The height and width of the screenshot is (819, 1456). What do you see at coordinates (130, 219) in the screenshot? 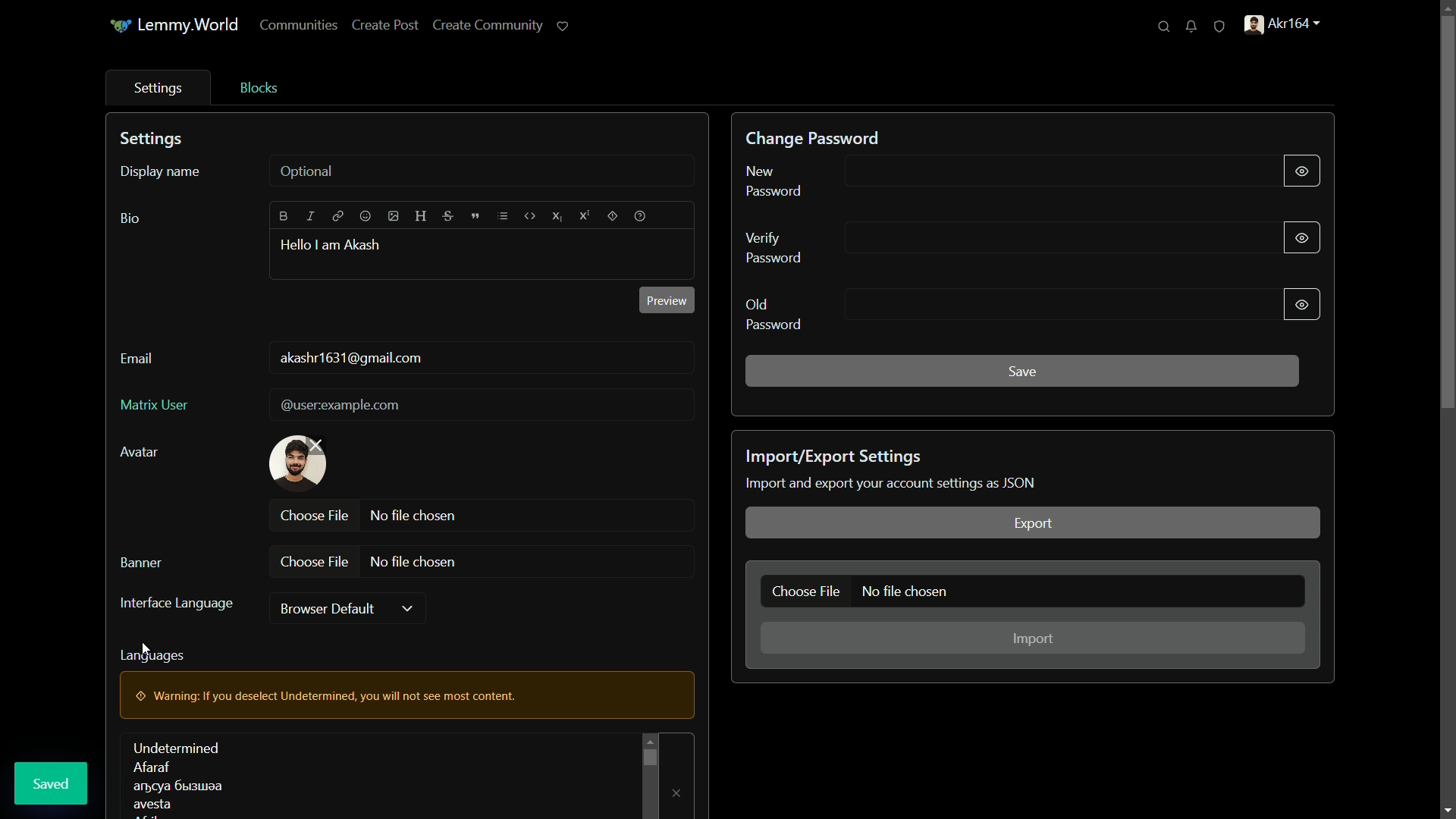
I see `bio` at bounding box center [130, 219].